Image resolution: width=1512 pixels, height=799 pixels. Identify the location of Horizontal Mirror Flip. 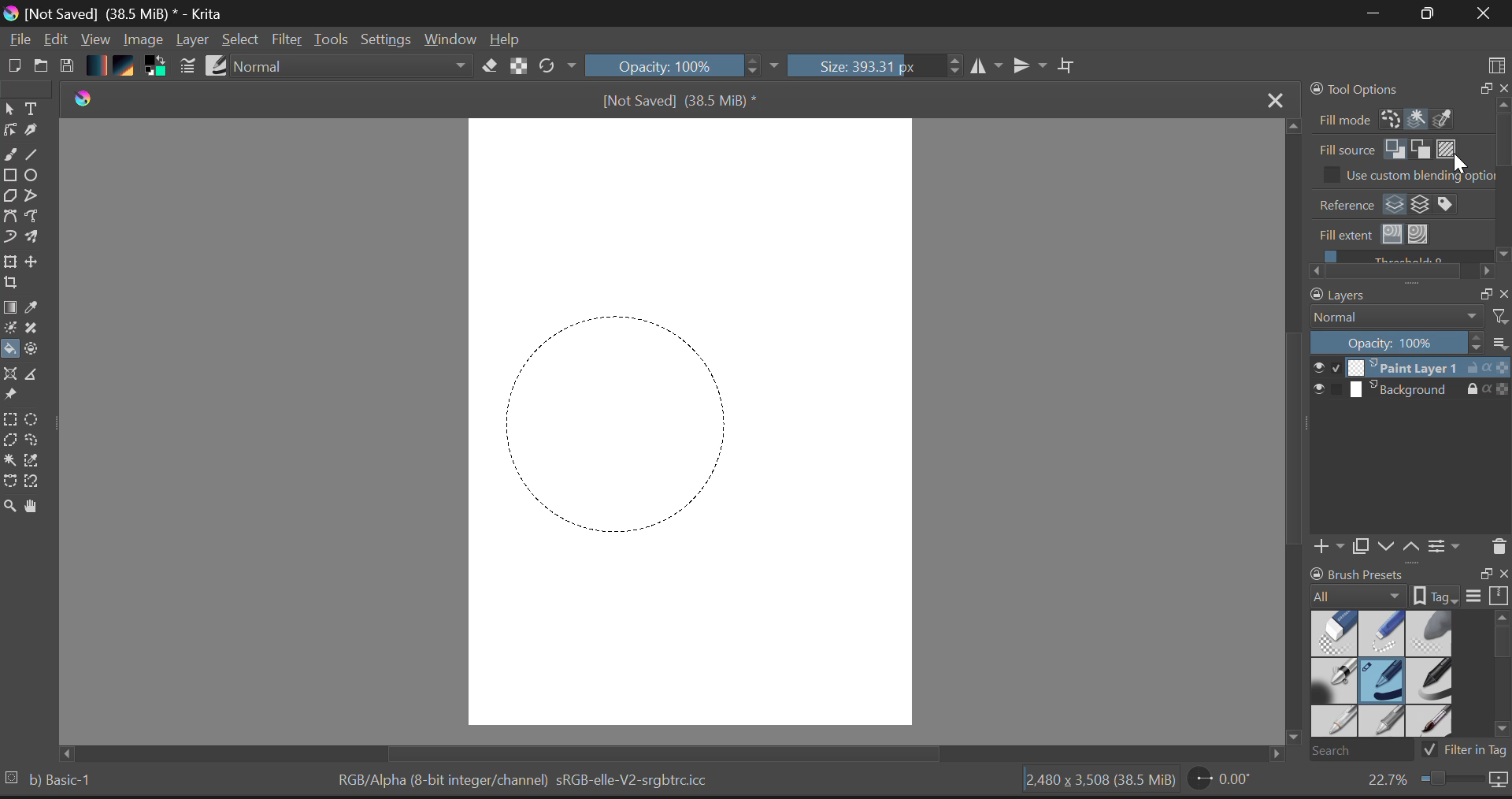
(1033, 67).